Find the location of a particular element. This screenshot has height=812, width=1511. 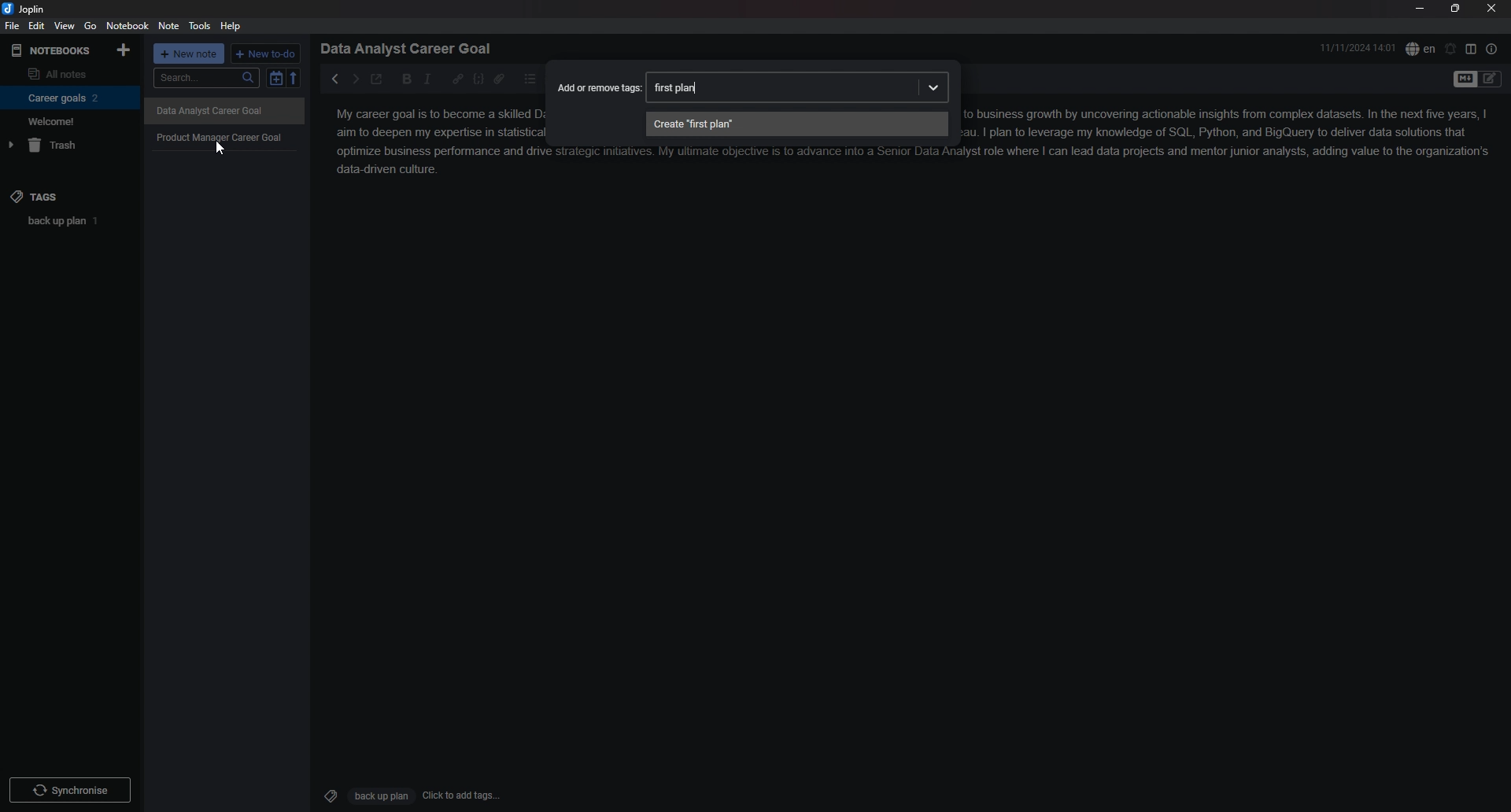

 is located at coordinates (229, 113).